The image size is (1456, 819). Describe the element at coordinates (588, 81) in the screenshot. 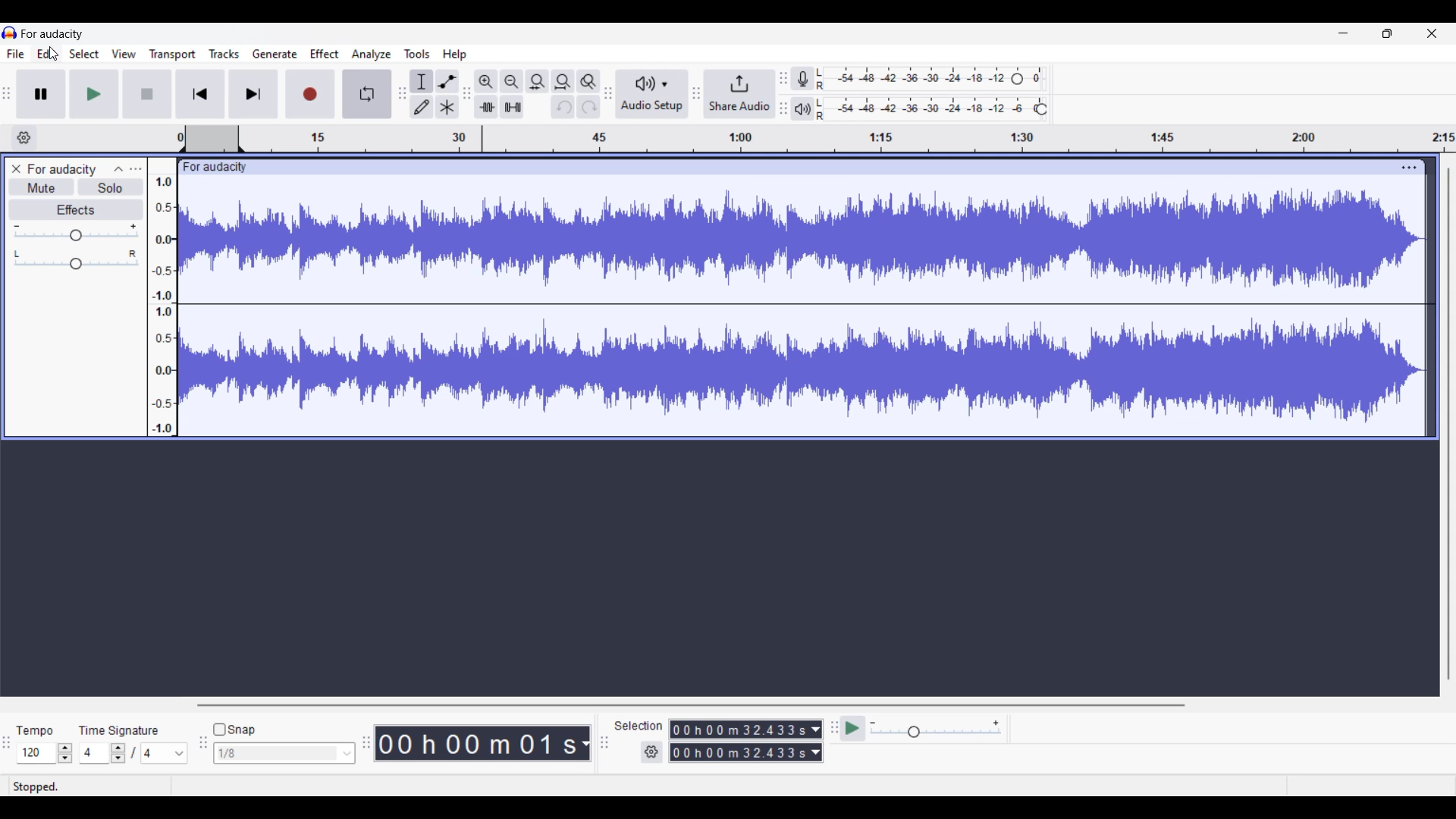

I see `Zoom toggle` at that location.